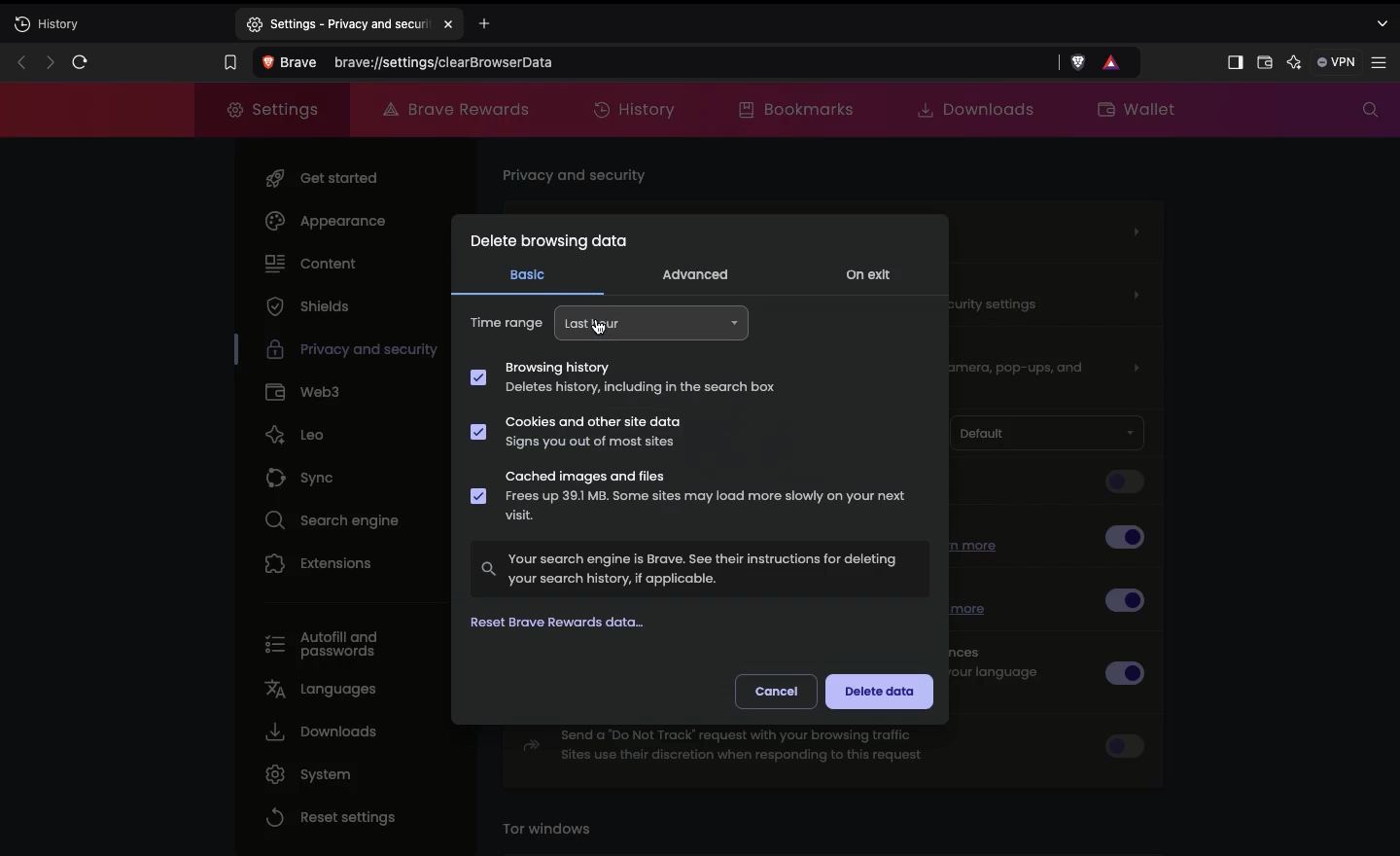  I want to click on Content, so click(308, 266).